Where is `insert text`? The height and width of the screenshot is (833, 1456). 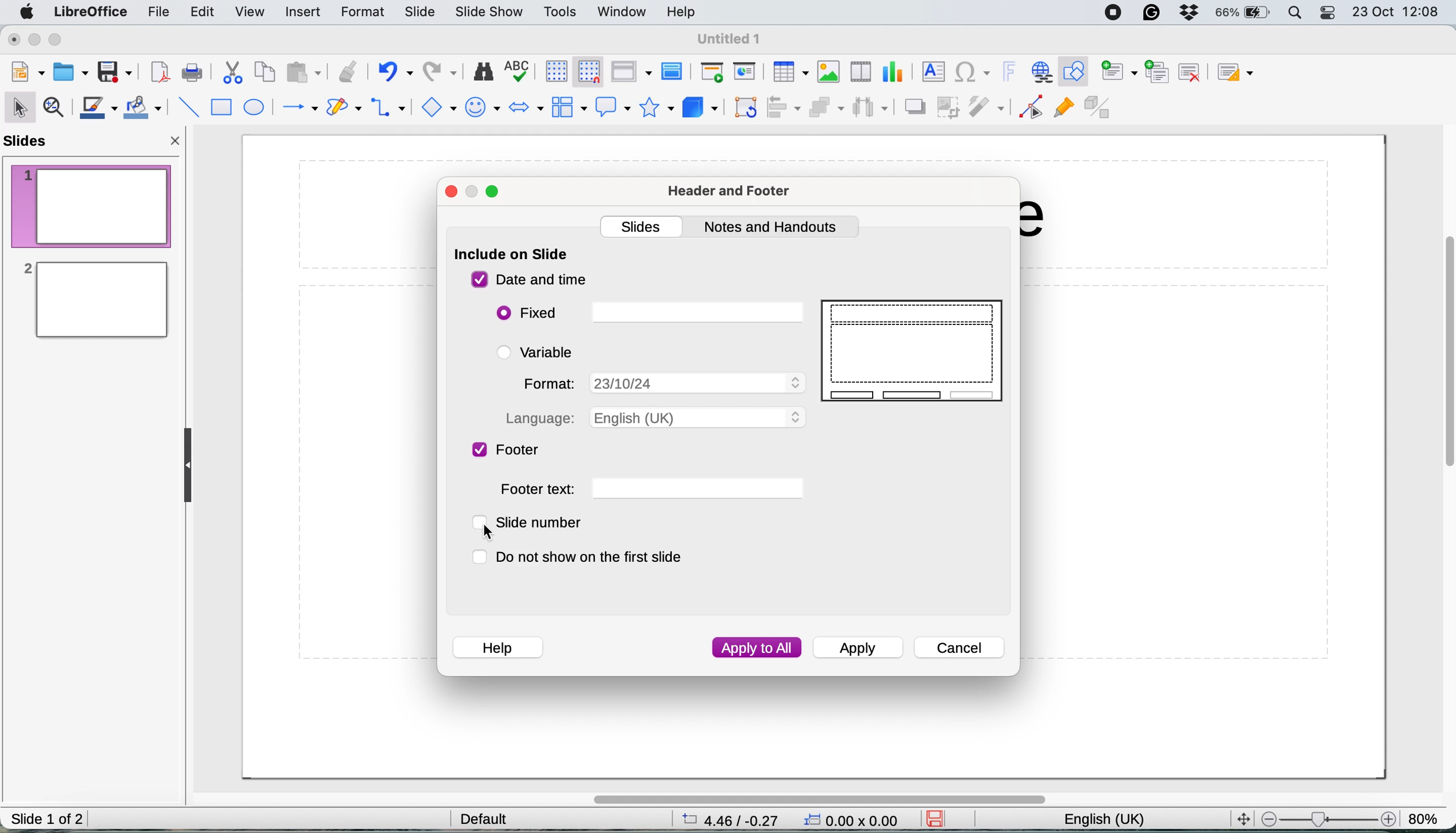 insert text is located at coordinates (931, 71).